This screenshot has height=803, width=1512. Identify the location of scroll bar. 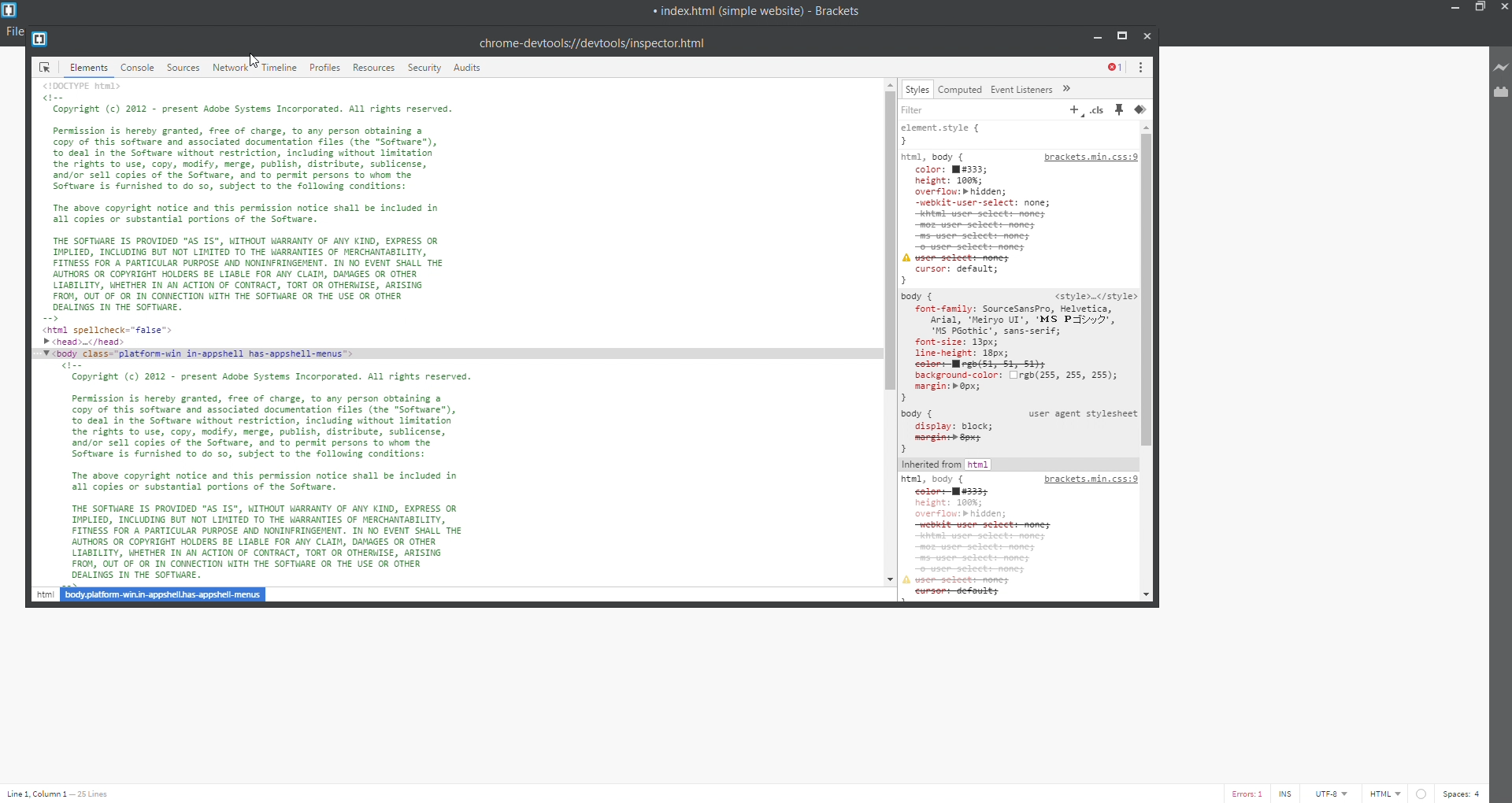
(1151, 367).